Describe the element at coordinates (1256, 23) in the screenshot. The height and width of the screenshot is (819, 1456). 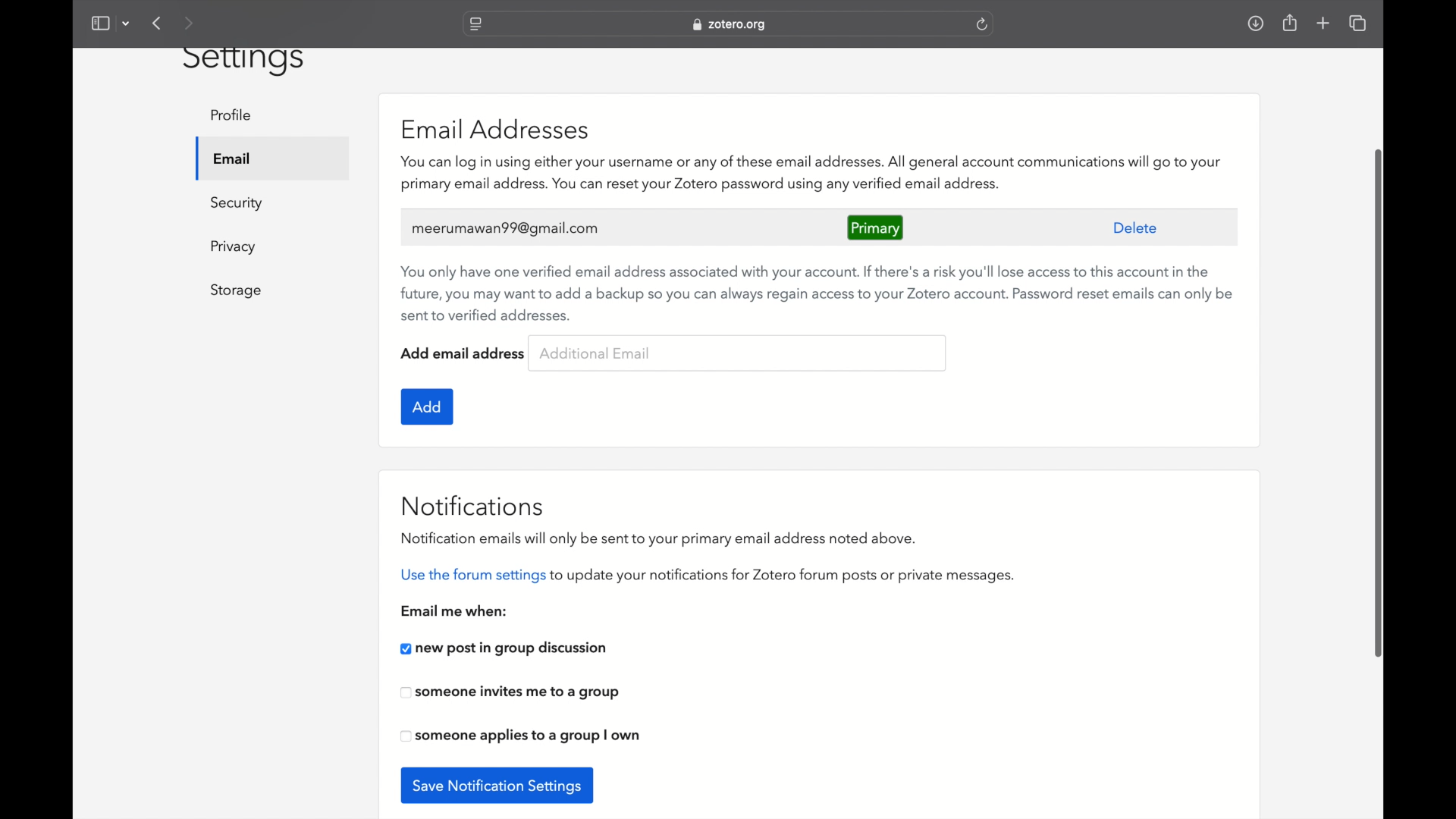
I see `downloads` at that location.